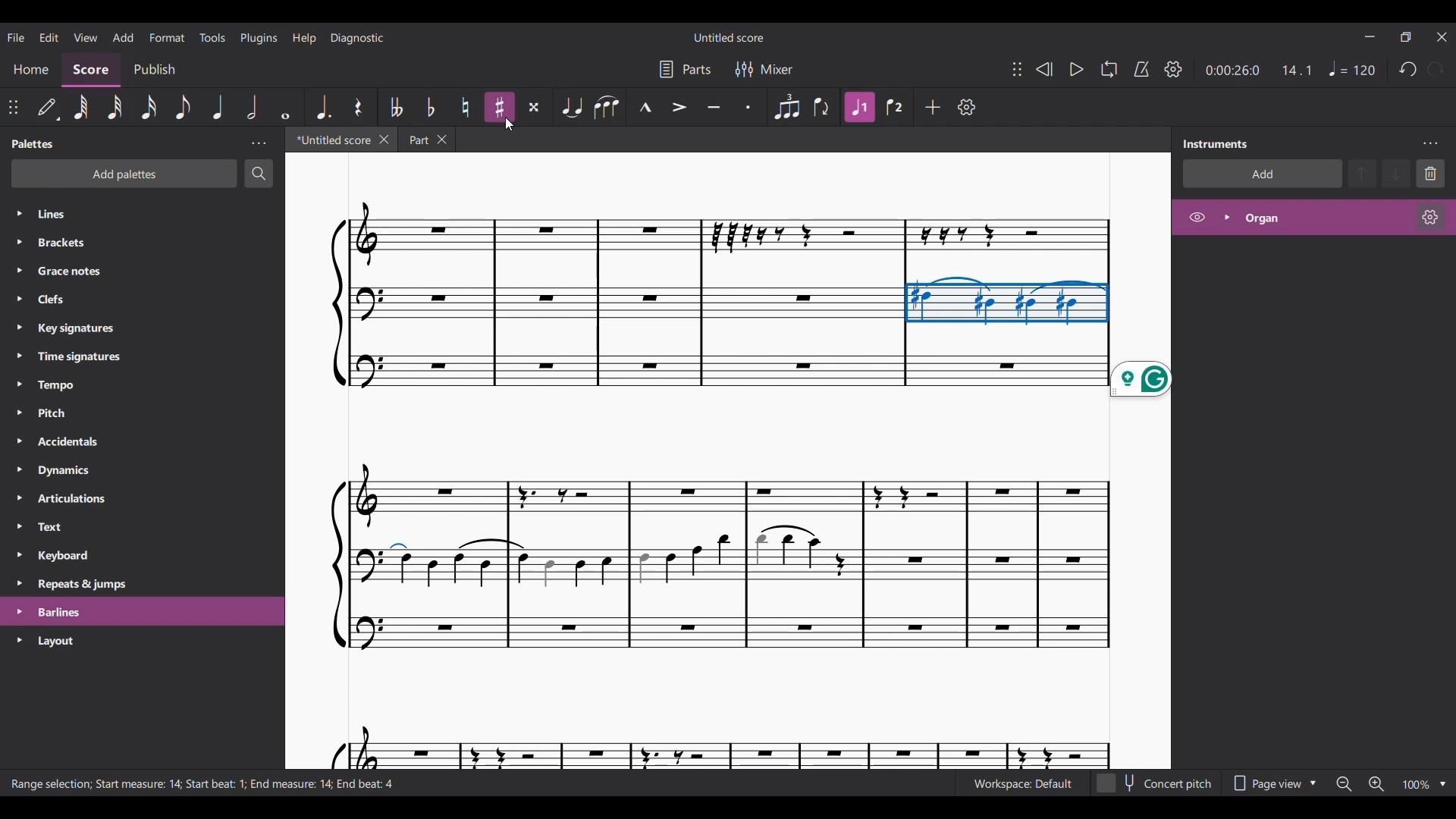 The height and width of the screenshot is (819, 1456). What do you see at coordinates (1141, 379) in the screenshot?
I see `Grammarly extension` at bounding box center [1141, 379].